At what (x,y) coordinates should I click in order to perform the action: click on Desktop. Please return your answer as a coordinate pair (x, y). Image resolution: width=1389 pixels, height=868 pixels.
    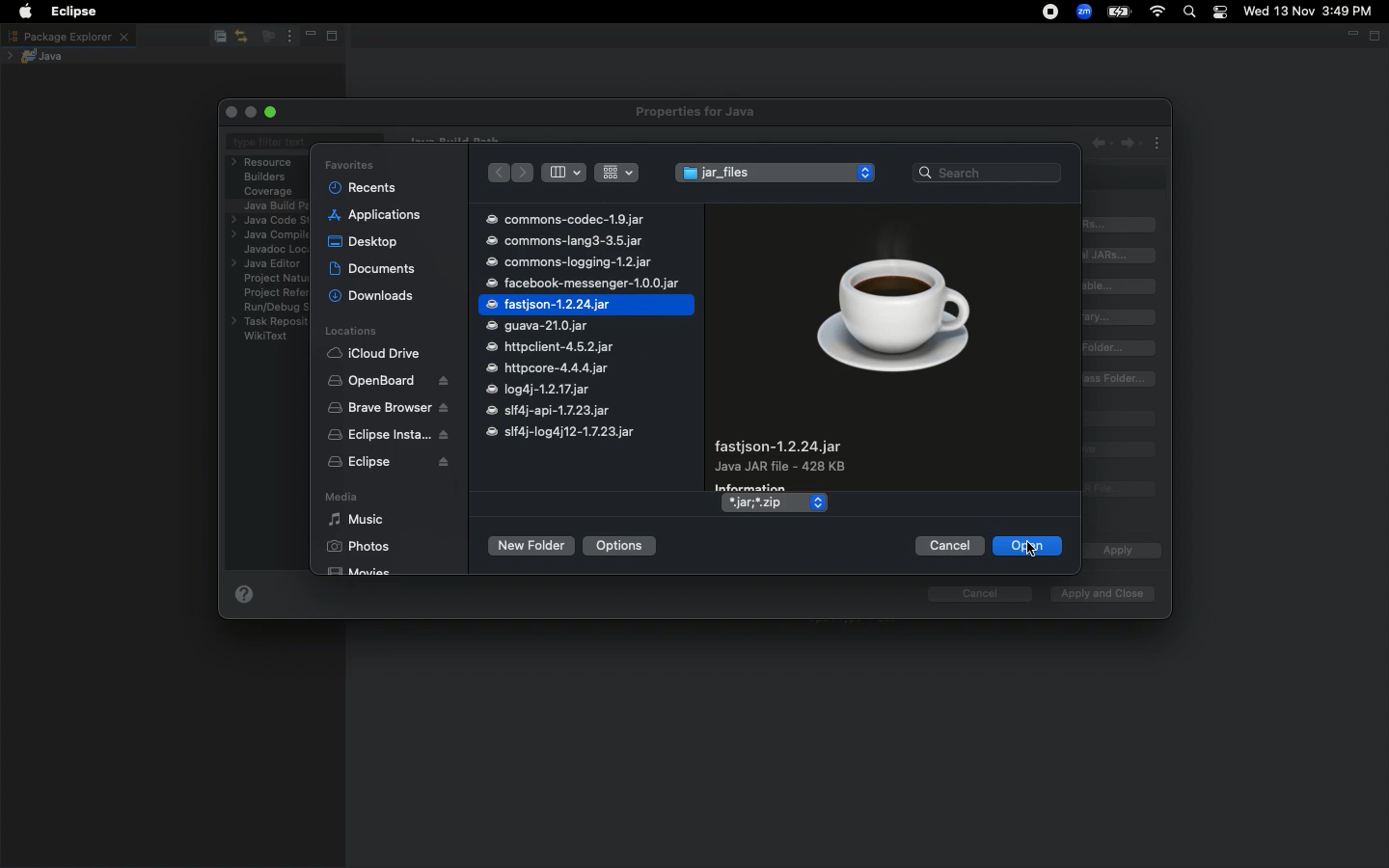
    Looking at the image, I should click on (363, 240).